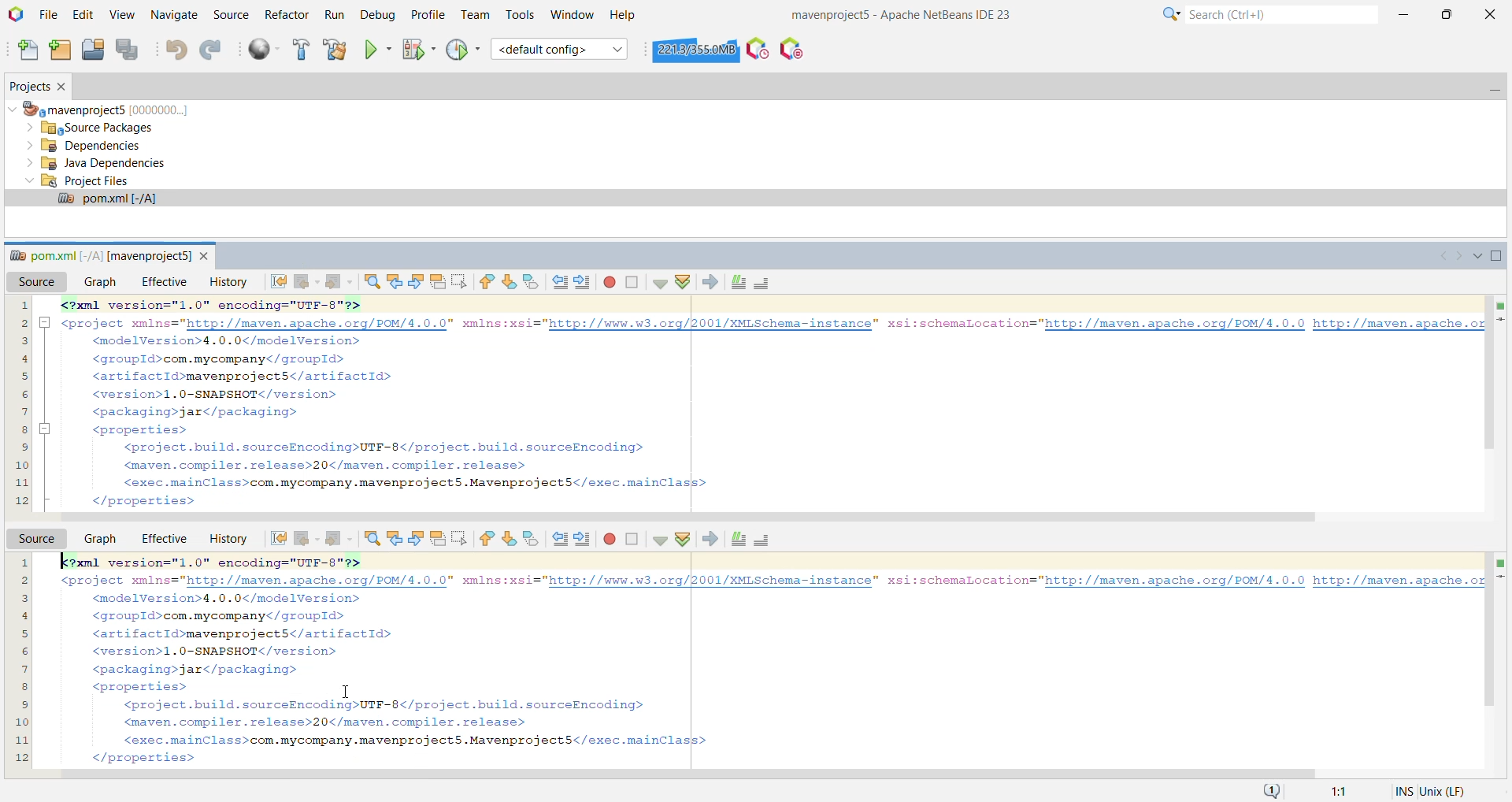  I want to click on Toggle rectangular selection, so click(462, 280).